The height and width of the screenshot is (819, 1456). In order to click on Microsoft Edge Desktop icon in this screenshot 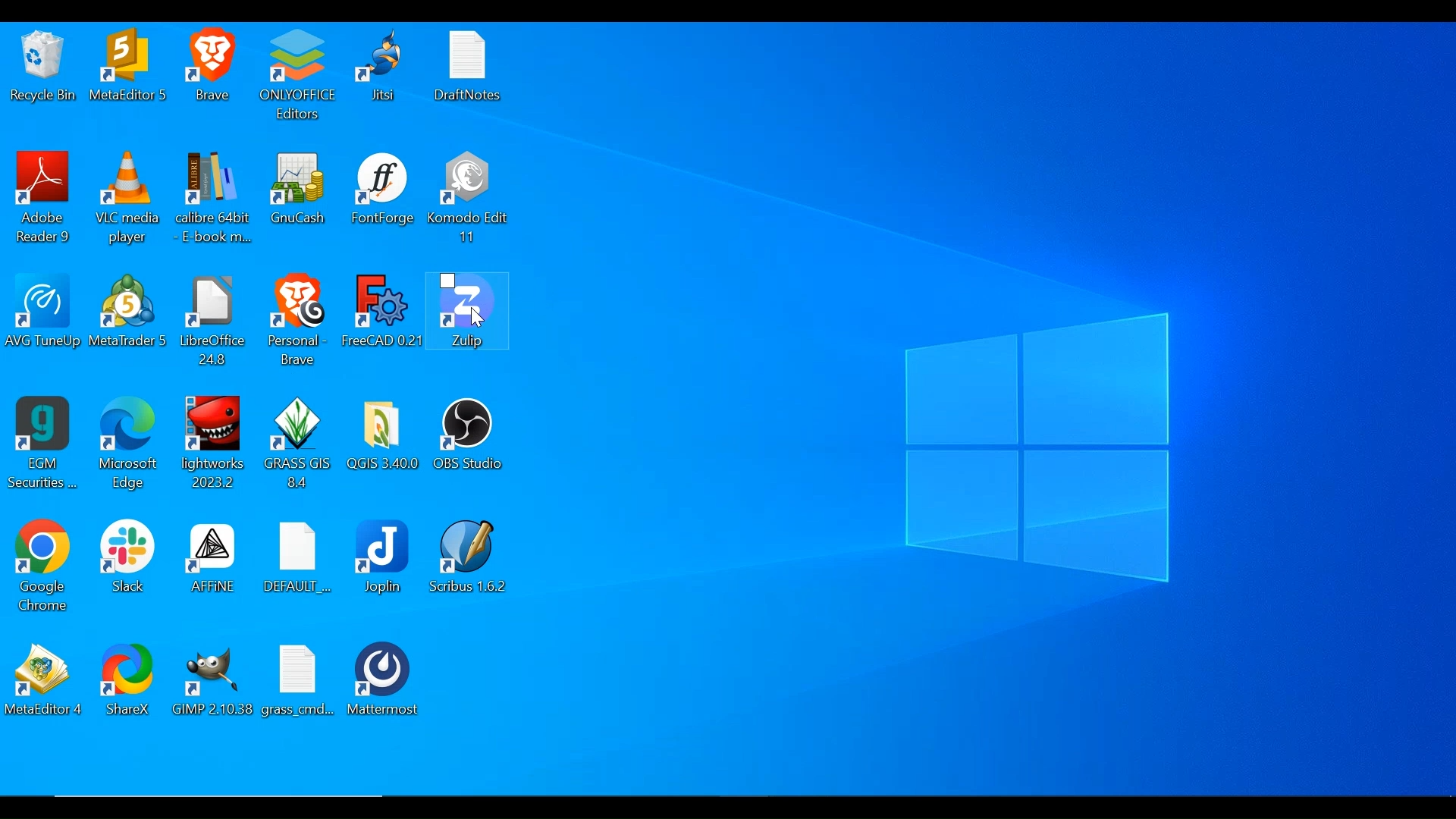, I will do `click(131, 442)`.